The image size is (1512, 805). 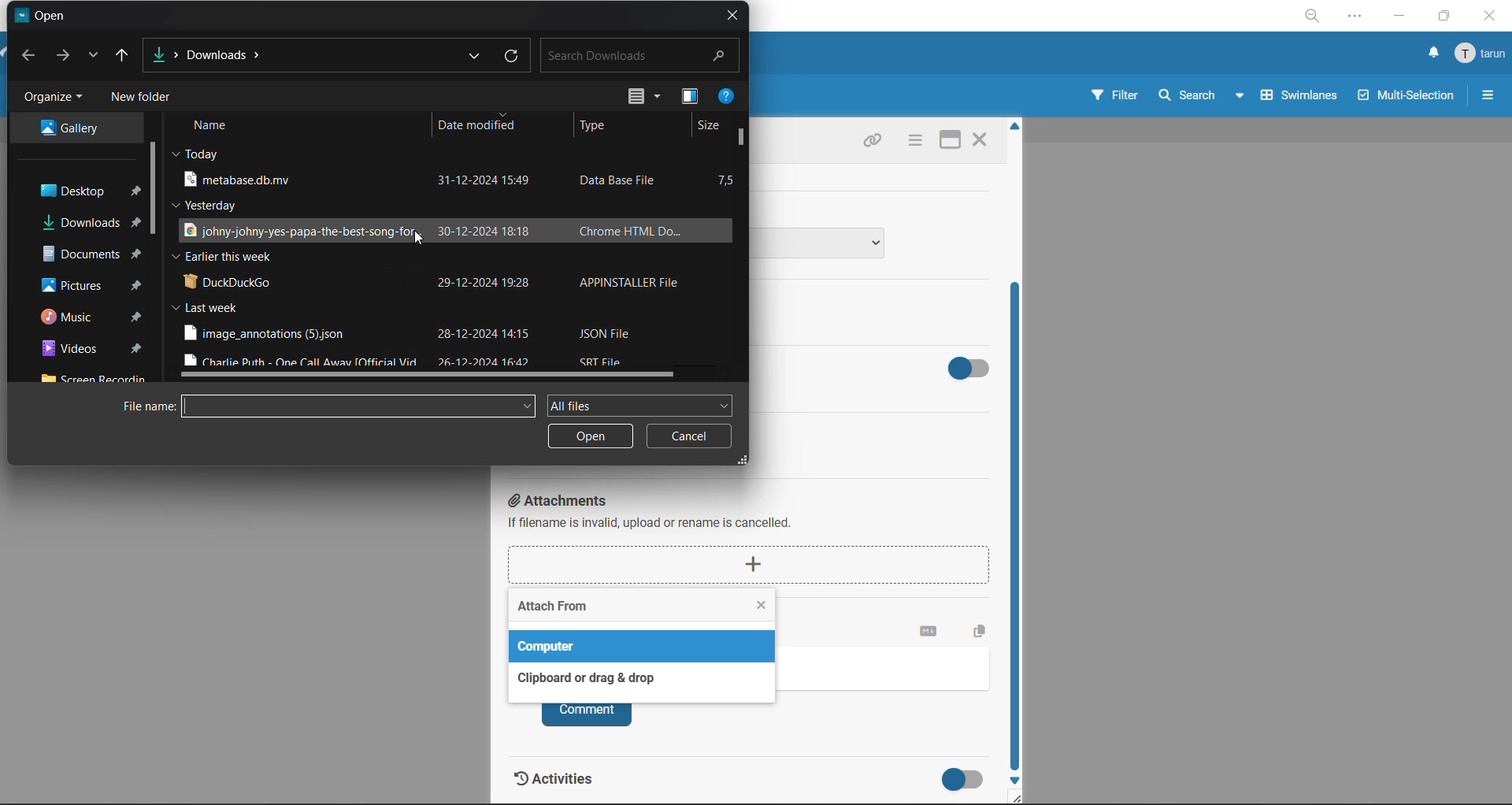 What do you see at coordinates (746, 140) in the screenshot?
I see `vertical scroll bar` at bounding box center [746, 140].